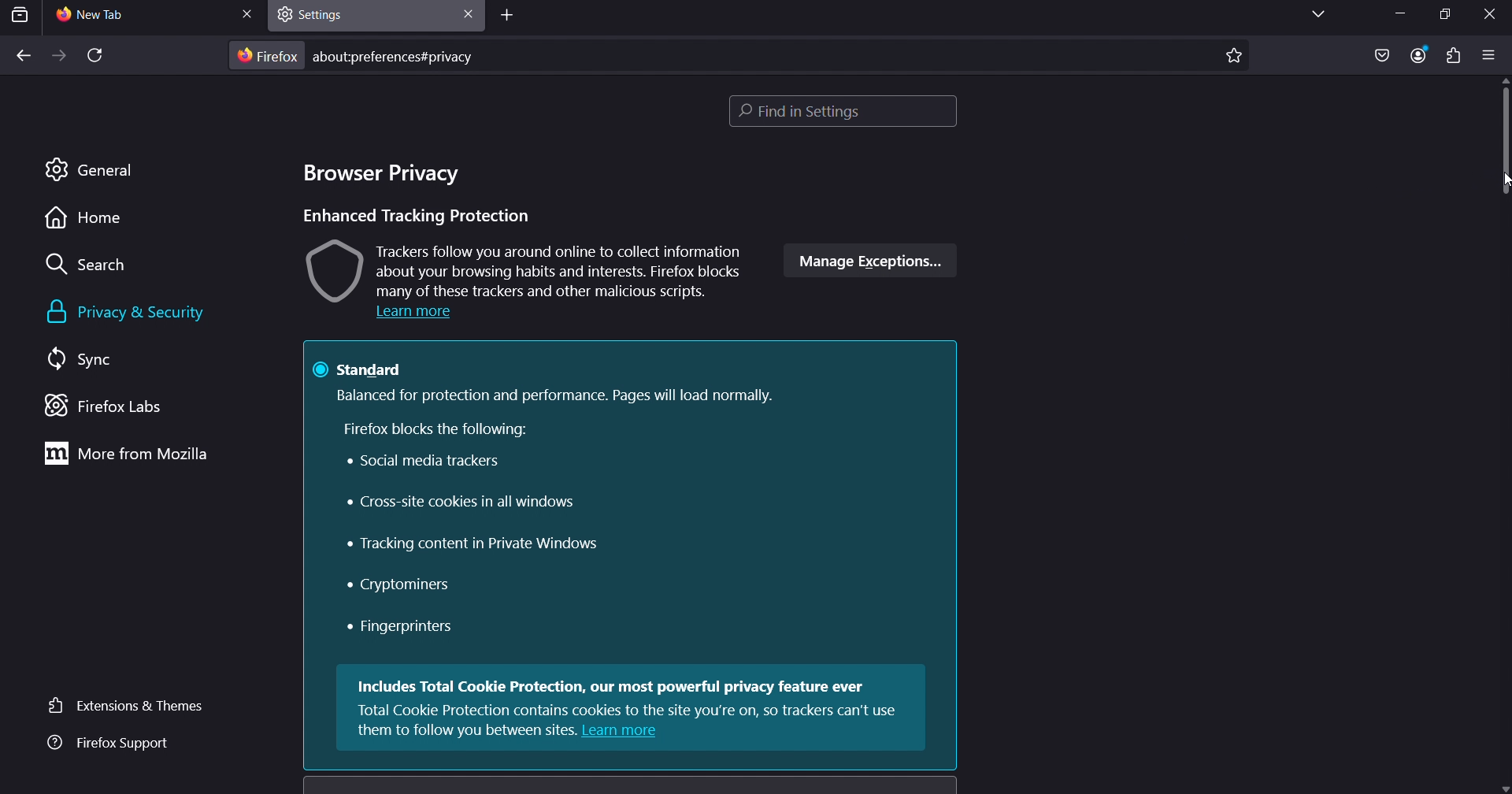  I want to click on about:preferences#privacy, so click(402, 55).